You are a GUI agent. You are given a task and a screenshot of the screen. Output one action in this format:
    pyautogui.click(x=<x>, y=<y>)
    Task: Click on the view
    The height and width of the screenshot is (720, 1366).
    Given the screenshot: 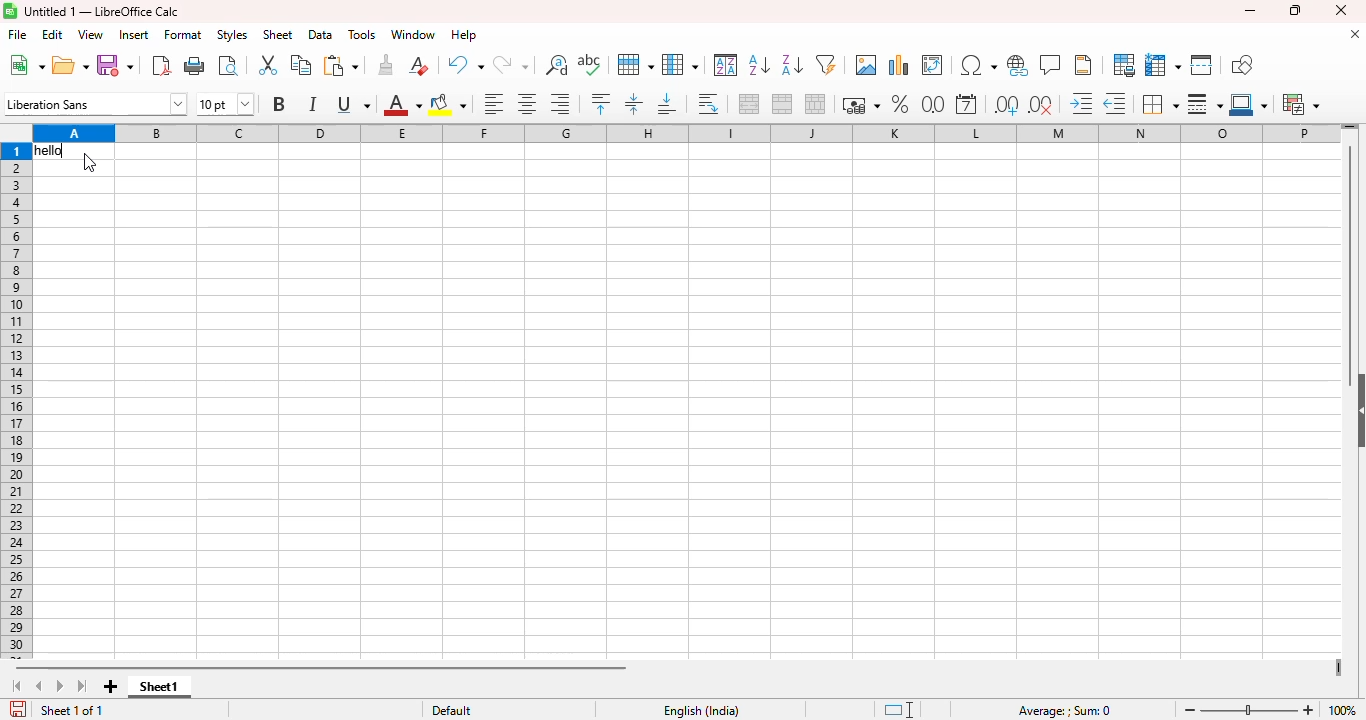 What is the action you would take?
    pyautogui.click(x=91, y=35)
    